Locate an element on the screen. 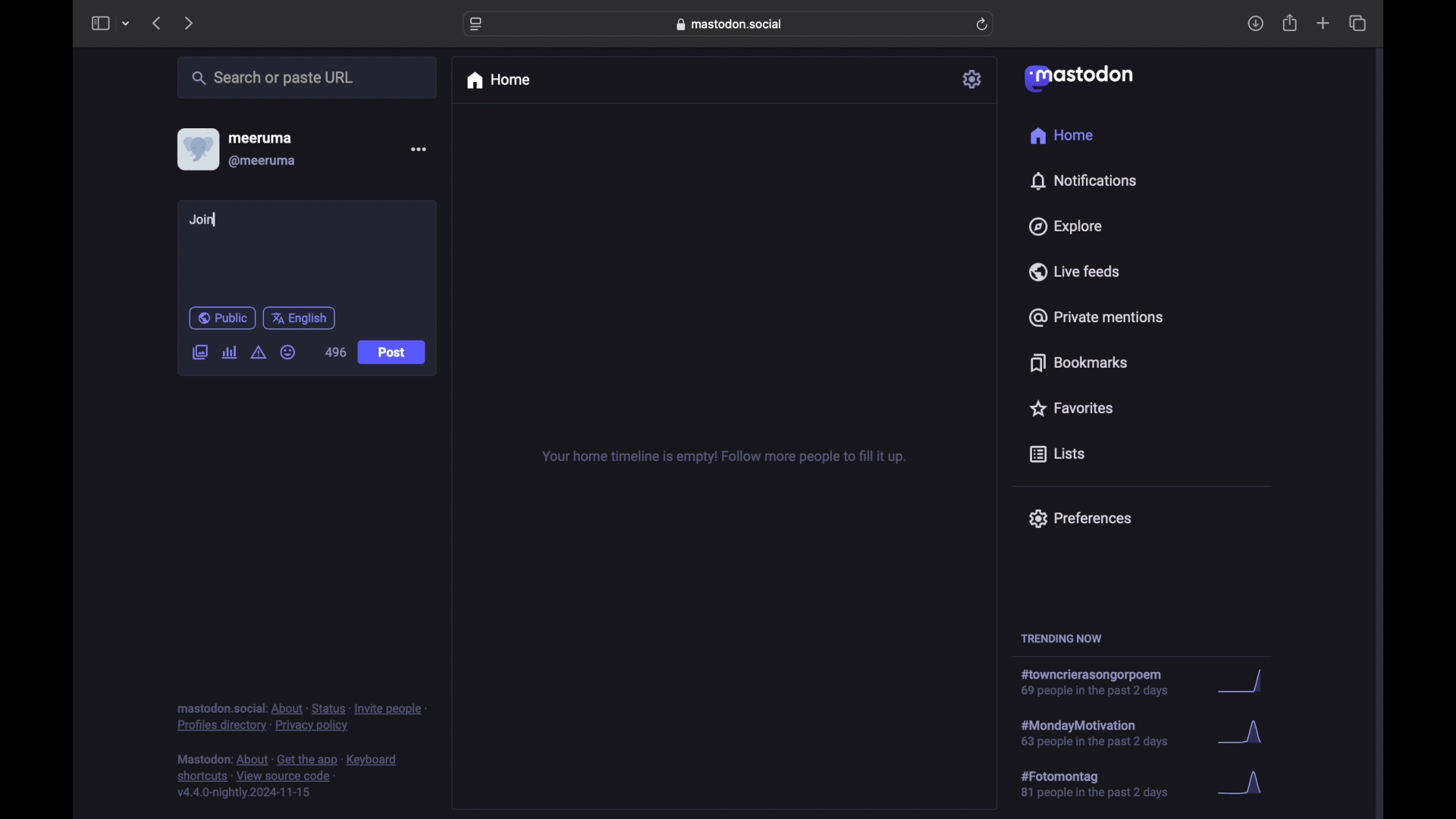 The width and height of the screenshot is (1456, 819). tab group picker is located at coordinates (126, 24).